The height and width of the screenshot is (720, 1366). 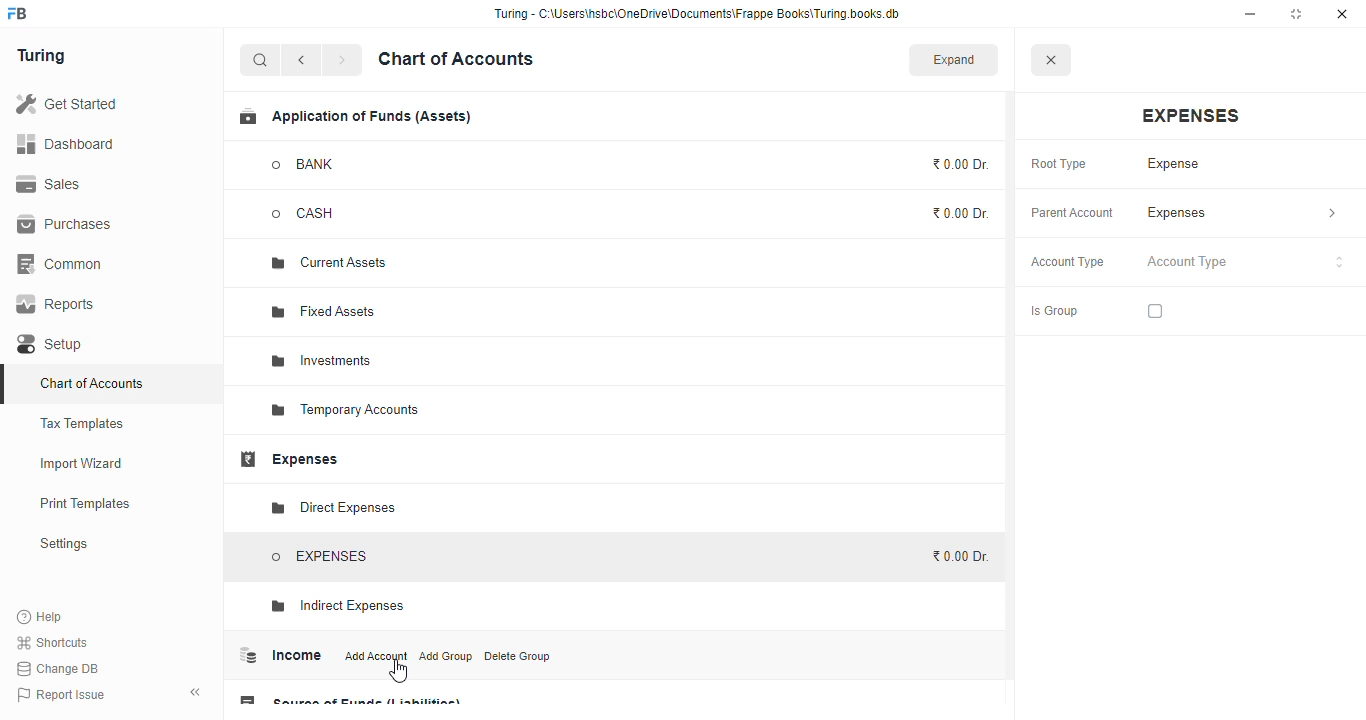 What do you see at coordinates (56, 304) in the screenshot?
I see `reports` at bounding box center [56, 304].